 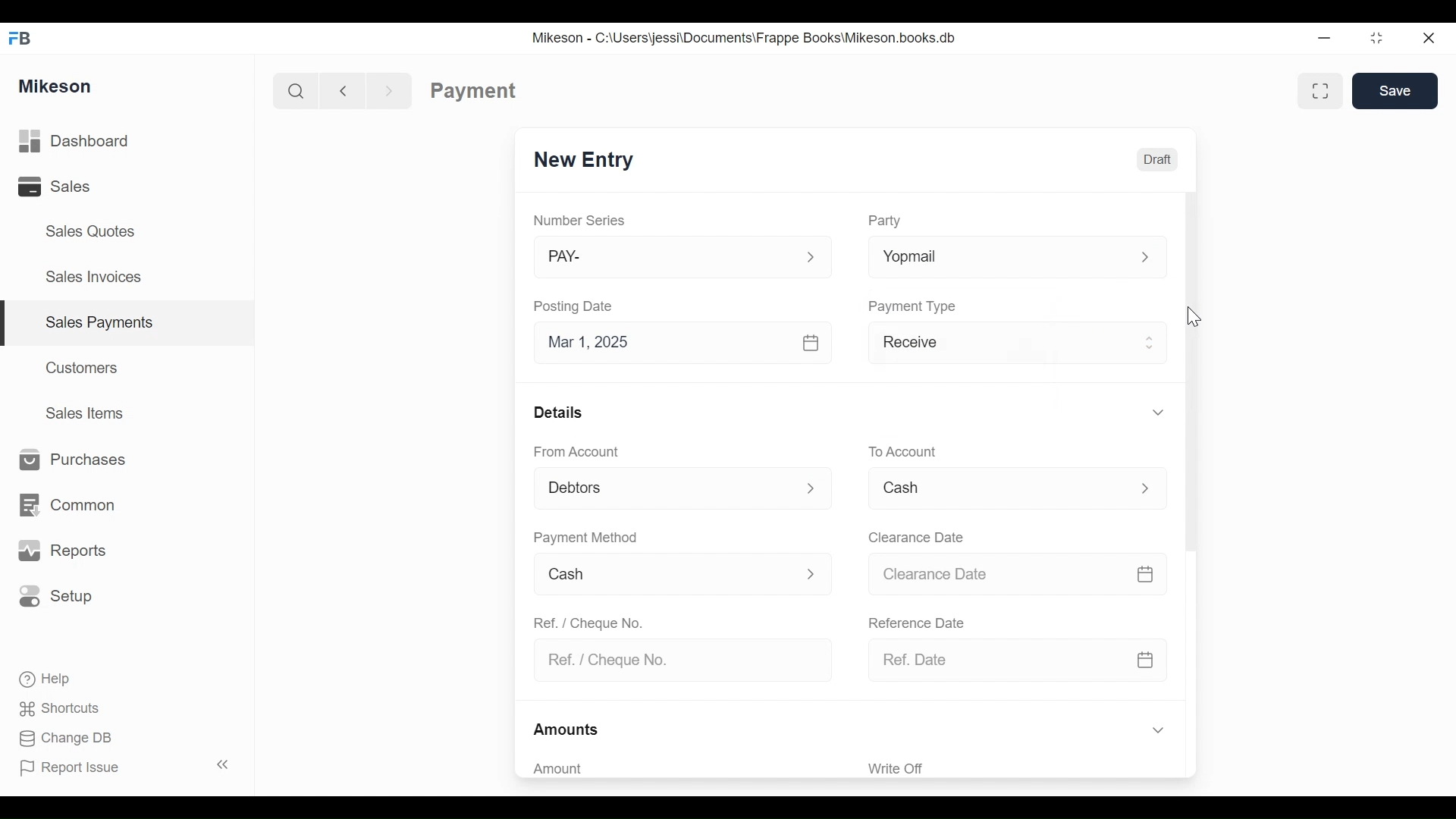 What do you see at coordinates (1157, 410) in the screenshot?
I see `Hide` at bounding box center [1157, 410].